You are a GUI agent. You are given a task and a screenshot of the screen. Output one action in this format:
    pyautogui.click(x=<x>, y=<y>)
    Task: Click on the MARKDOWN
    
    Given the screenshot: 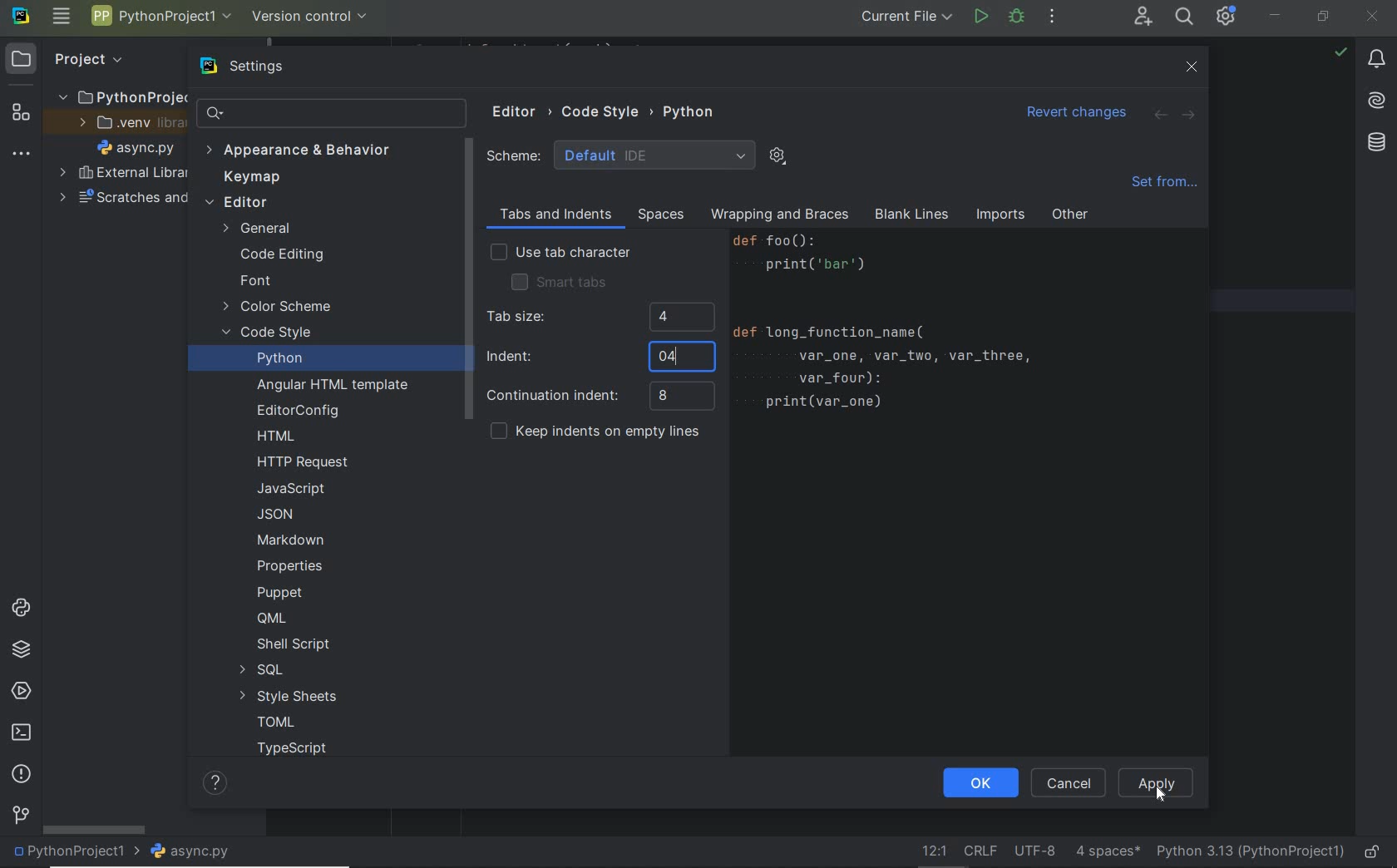 What is the action you would take?
    pyautogui.click(x=290, y=540)
    